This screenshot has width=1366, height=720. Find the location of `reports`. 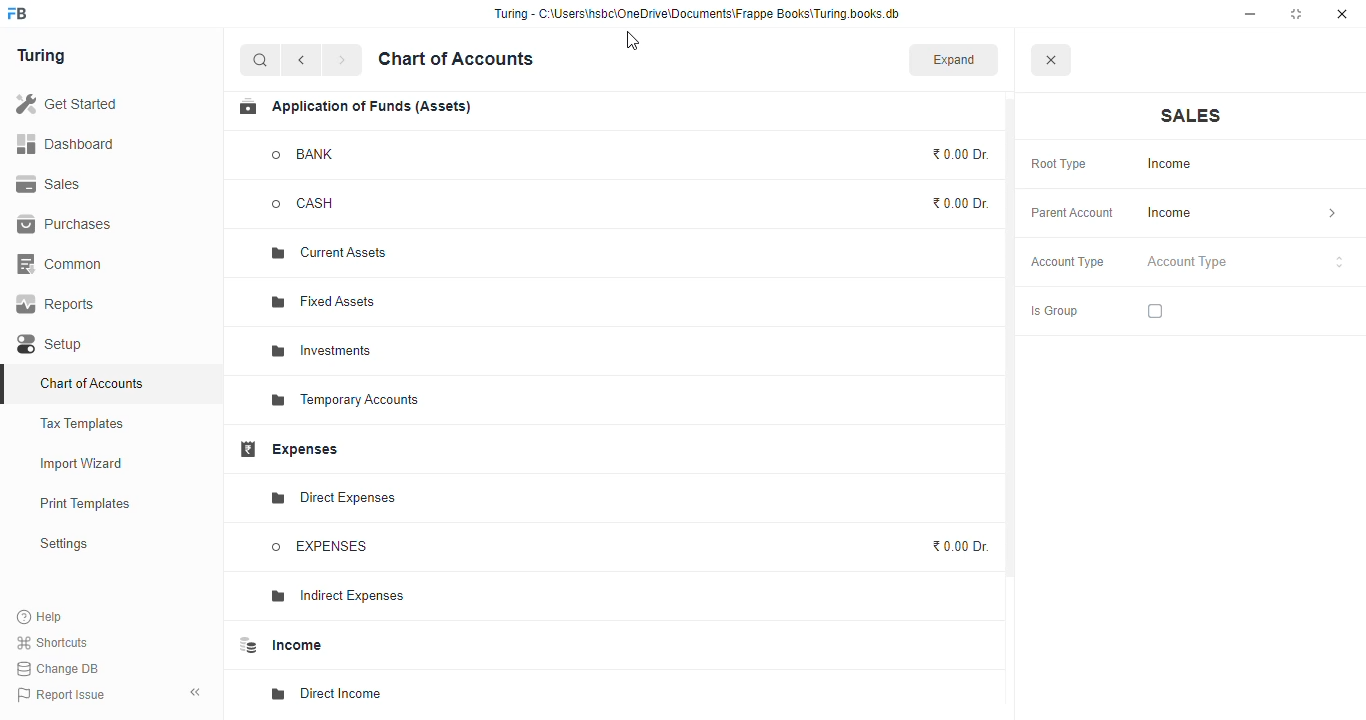

reports is located at coordinates (56, 304).